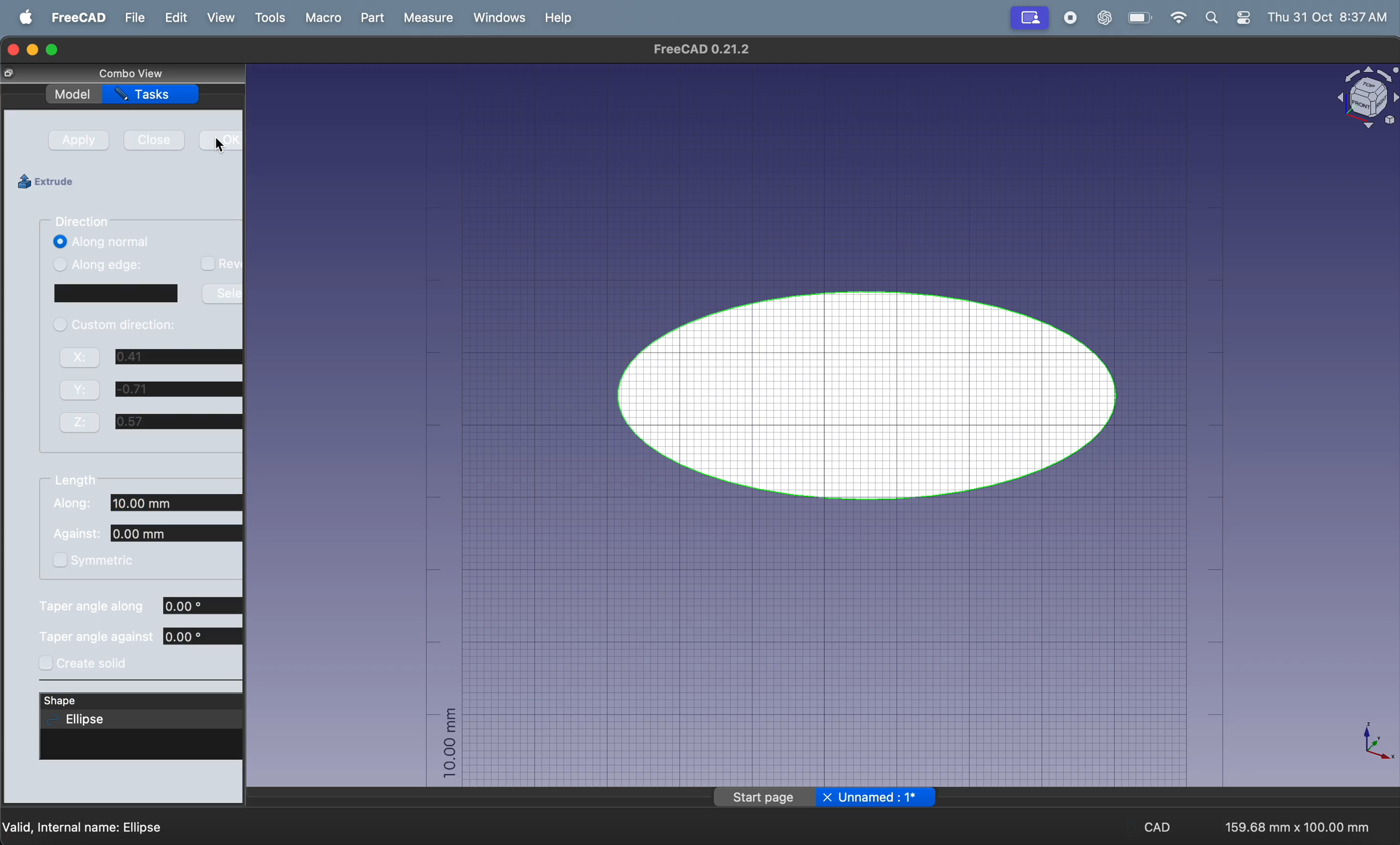 The height and width of the screenshot is (845, 1400). I want to click on ellipse, so click(876, 392).